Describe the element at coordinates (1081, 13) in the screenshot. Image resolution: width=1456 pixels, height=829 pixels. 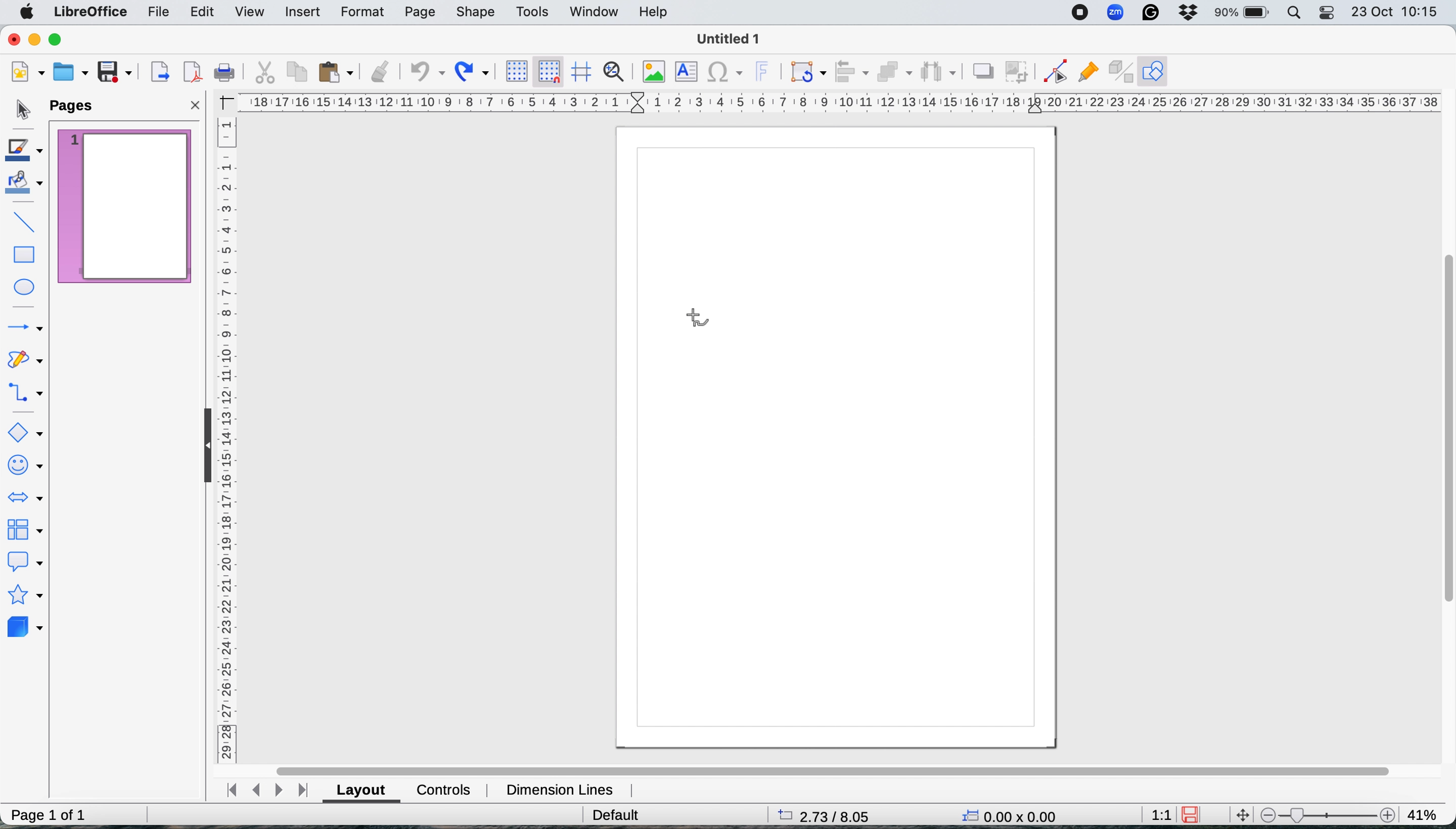
I see `screen recorder` at that location.